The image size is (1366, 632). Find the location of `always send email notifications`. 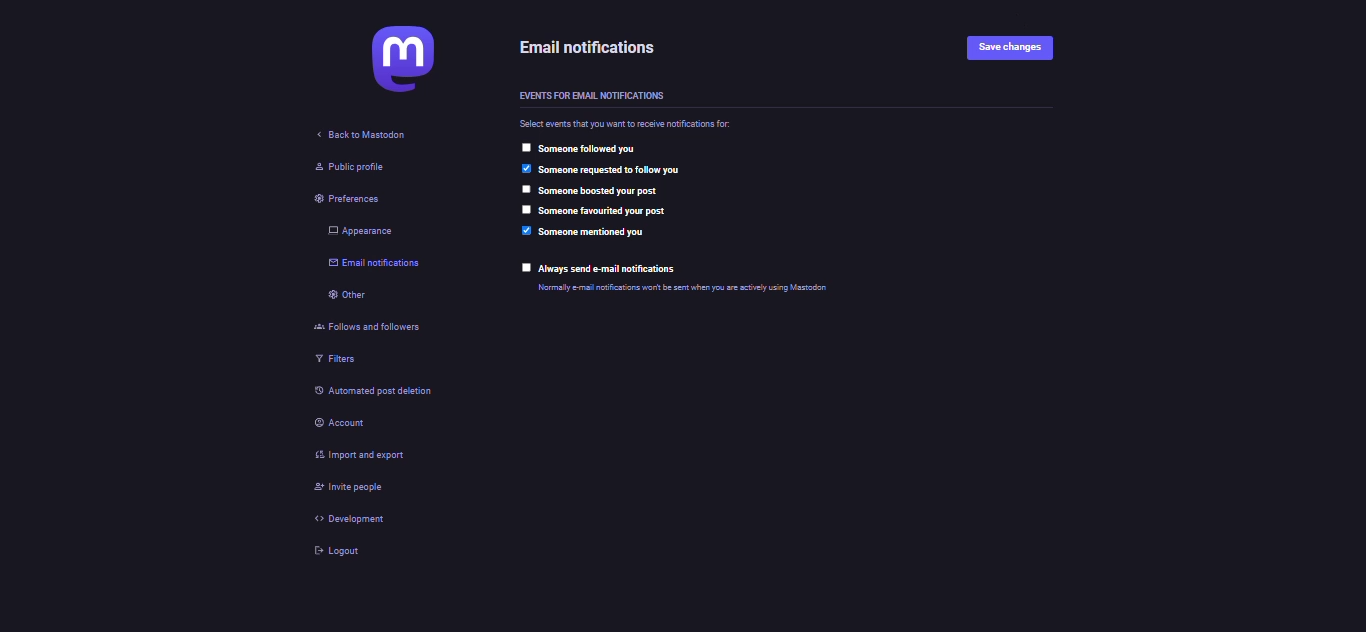

always send email notifications is located at coordinates (609, 269).